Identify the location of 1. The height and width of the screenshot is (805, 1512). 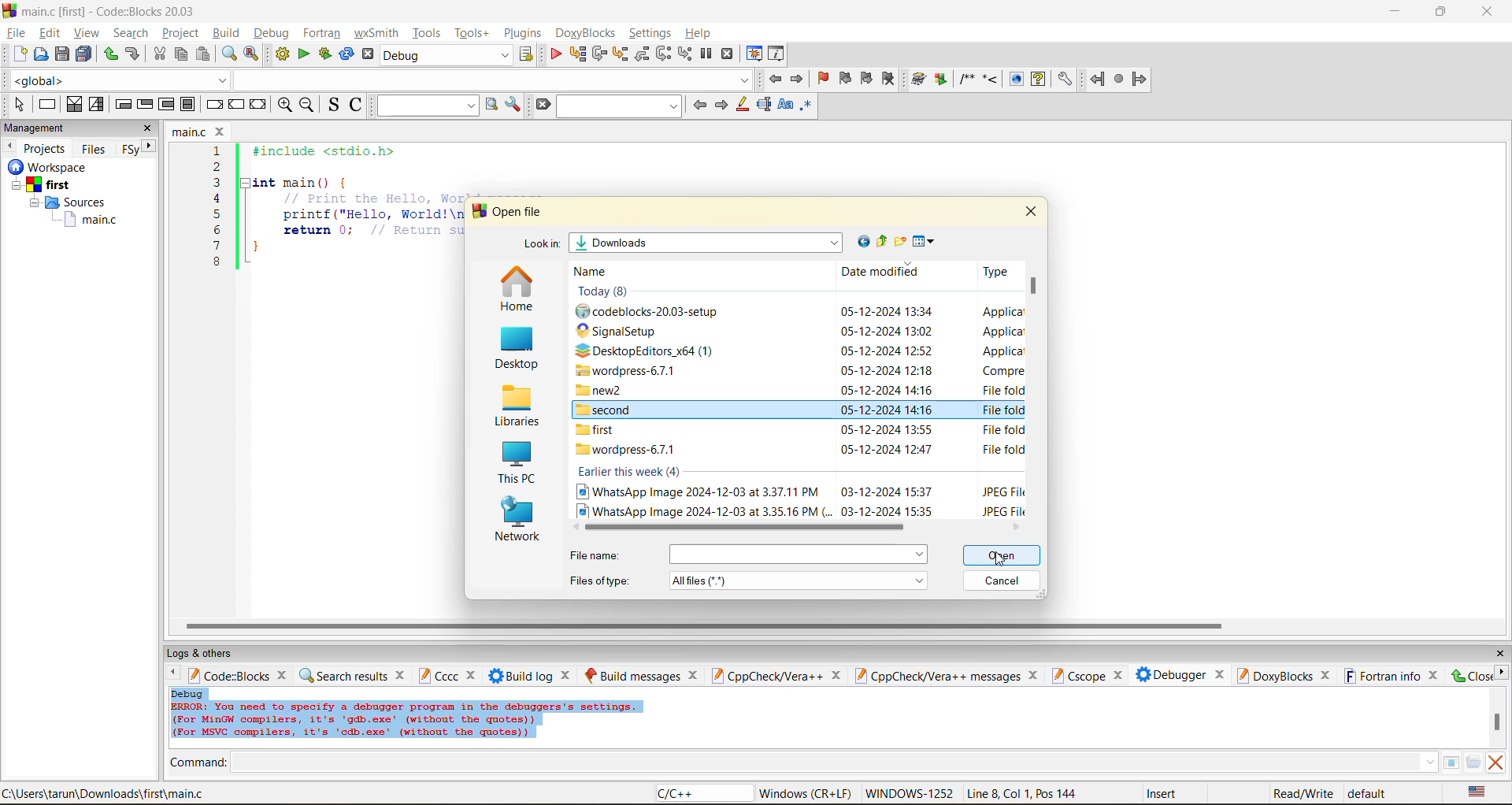
(219, 151).